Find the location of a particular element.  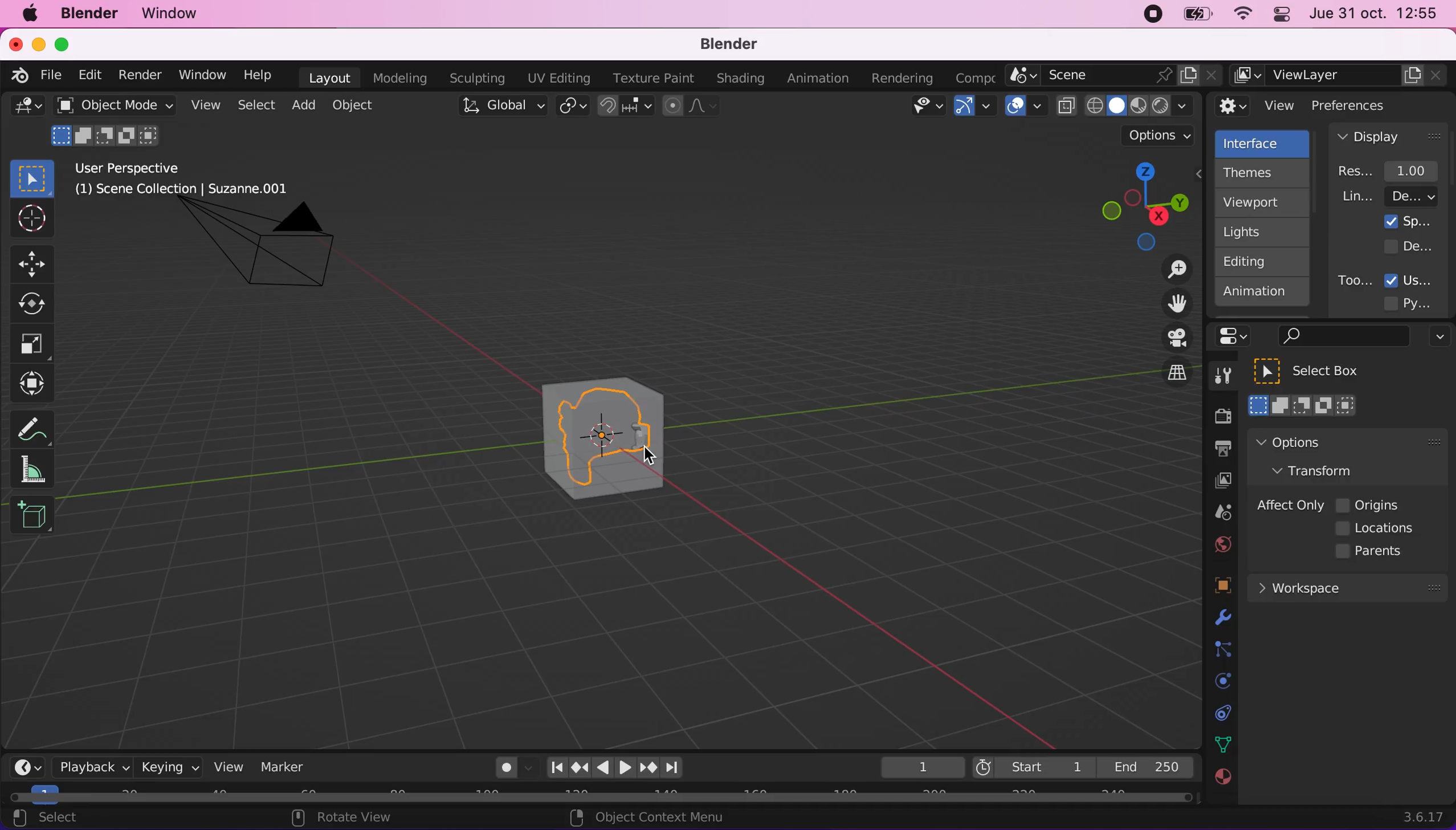

 is located at coordinates (37, 262).